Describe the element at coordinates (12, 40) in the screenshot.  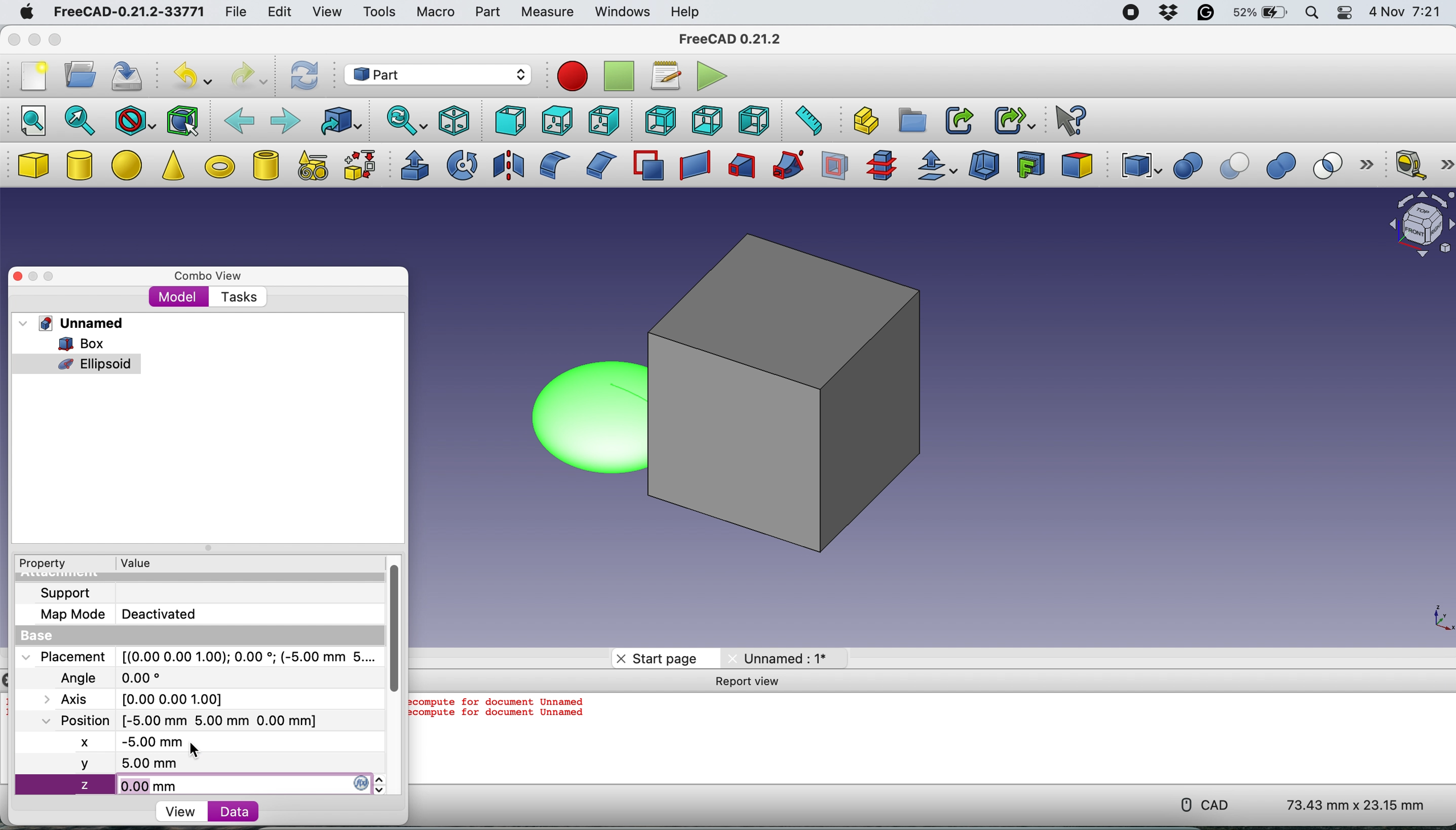
I see `close` at that location.